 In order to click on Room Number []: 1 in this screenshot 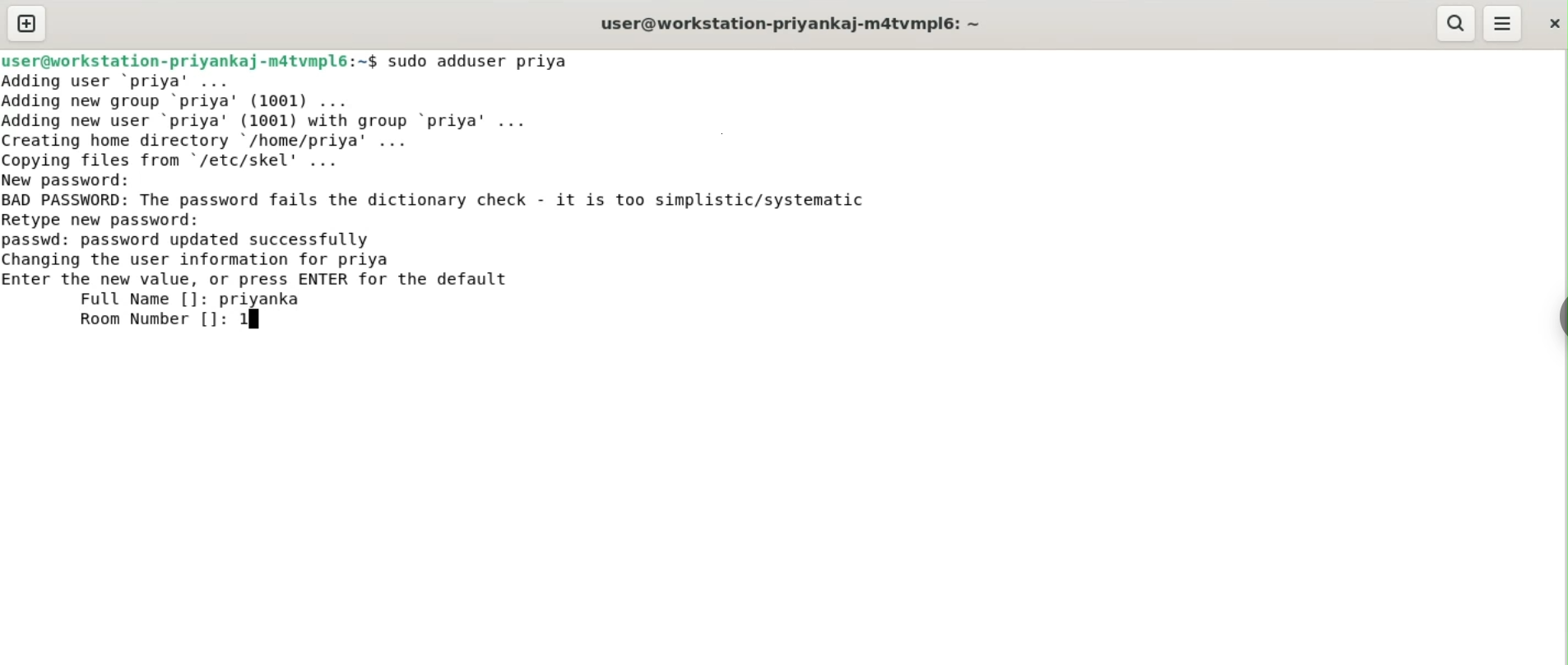, I will do `click(165, 319)`.